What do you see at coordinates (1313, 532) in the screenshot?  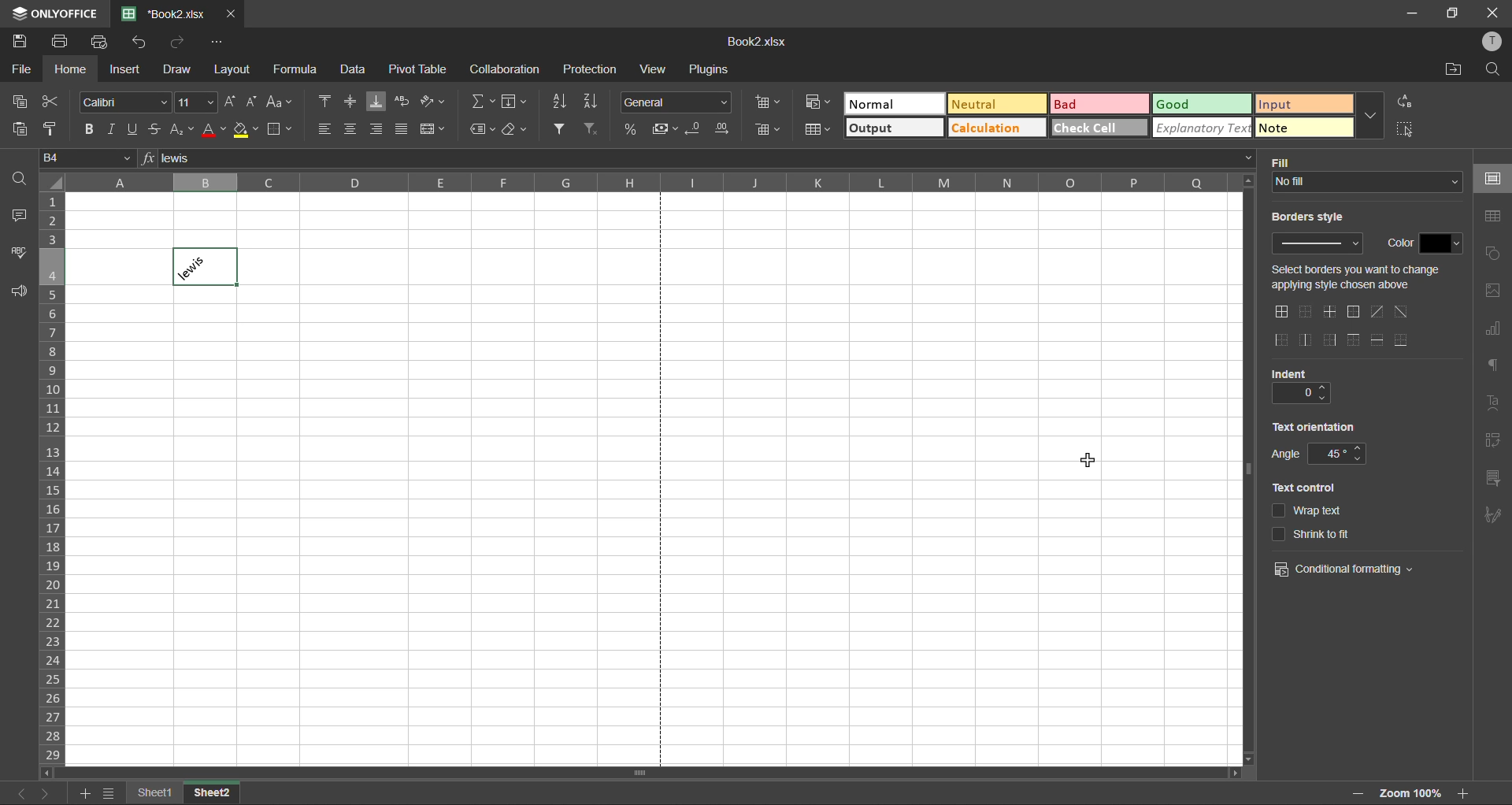 I see `shrink to it` at bounding box center [1313, 532].